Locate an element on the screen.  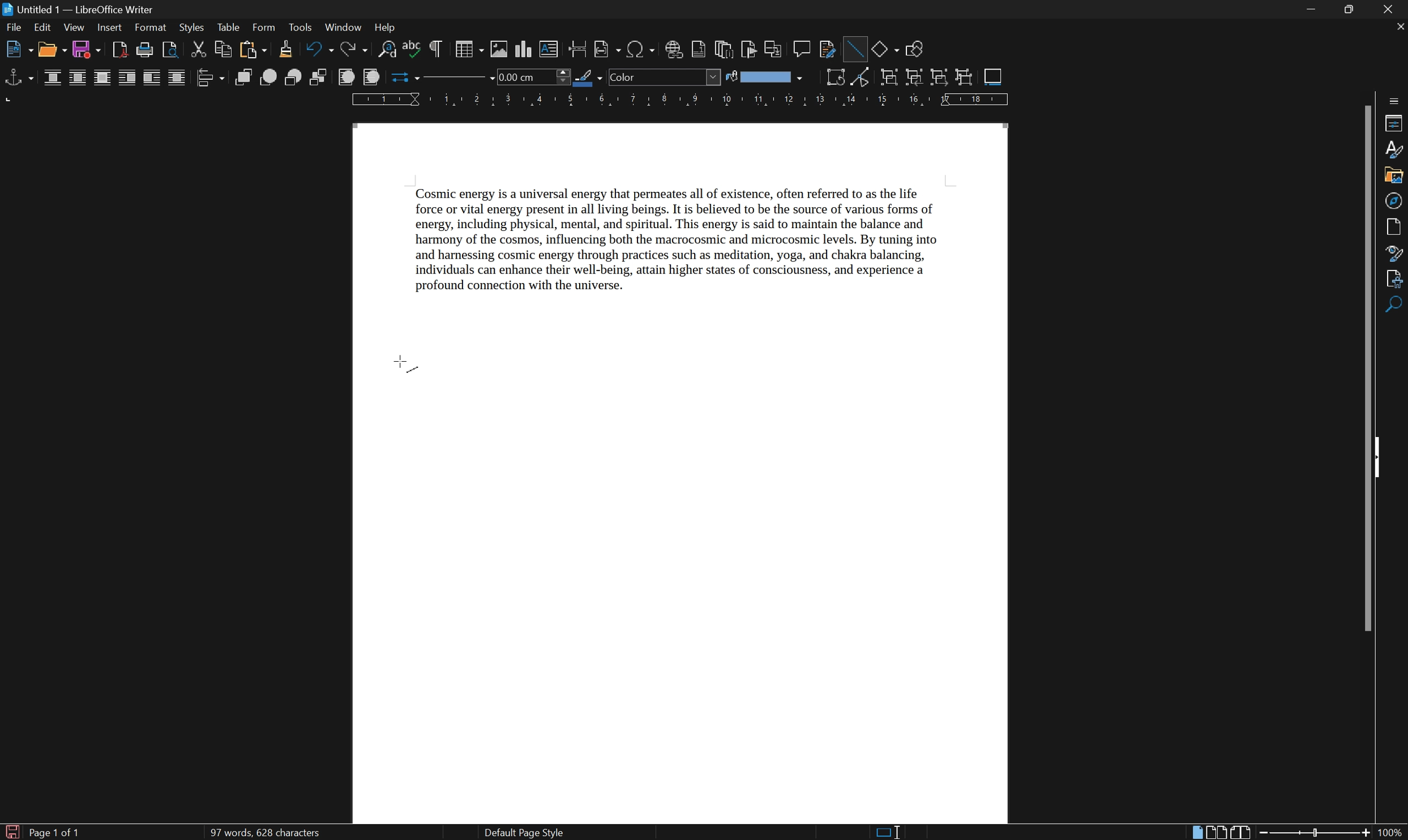
copy is located at coordinates (222, 49).